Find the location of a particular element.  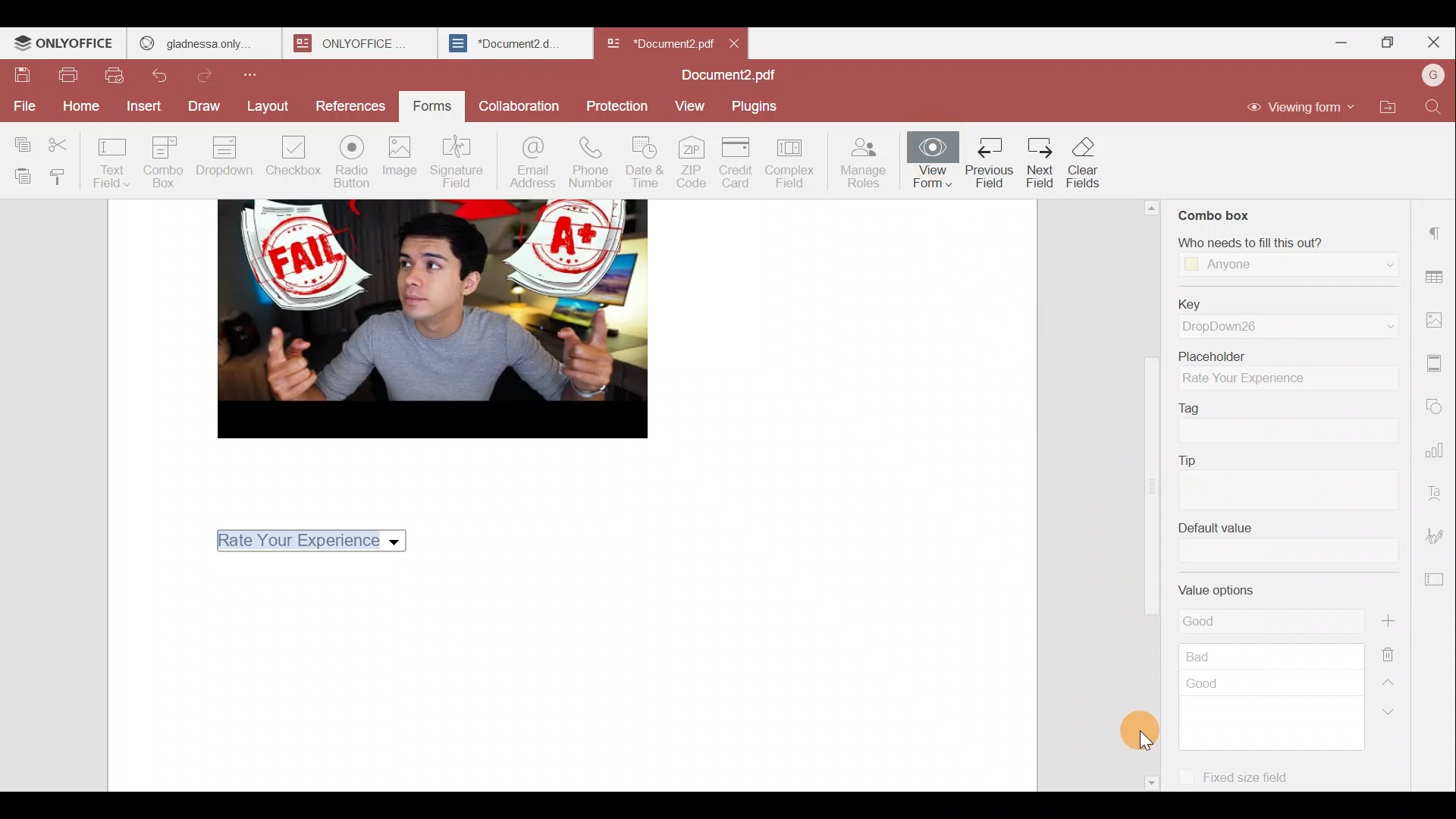

gladnessa only. is located at coordinates (196, 41).